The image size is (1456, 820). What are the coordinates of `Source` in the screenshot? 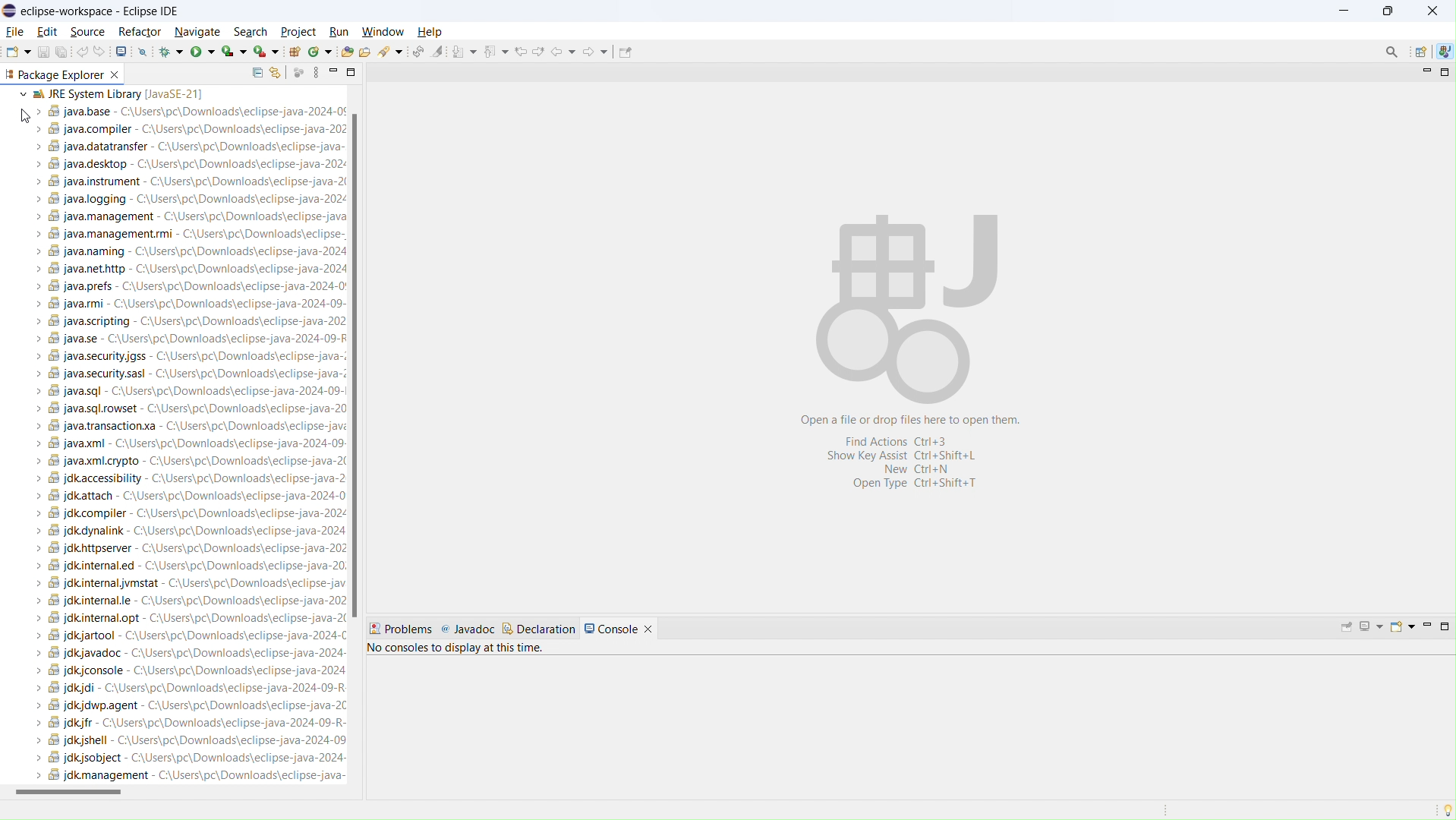 It's located at (89, 32).